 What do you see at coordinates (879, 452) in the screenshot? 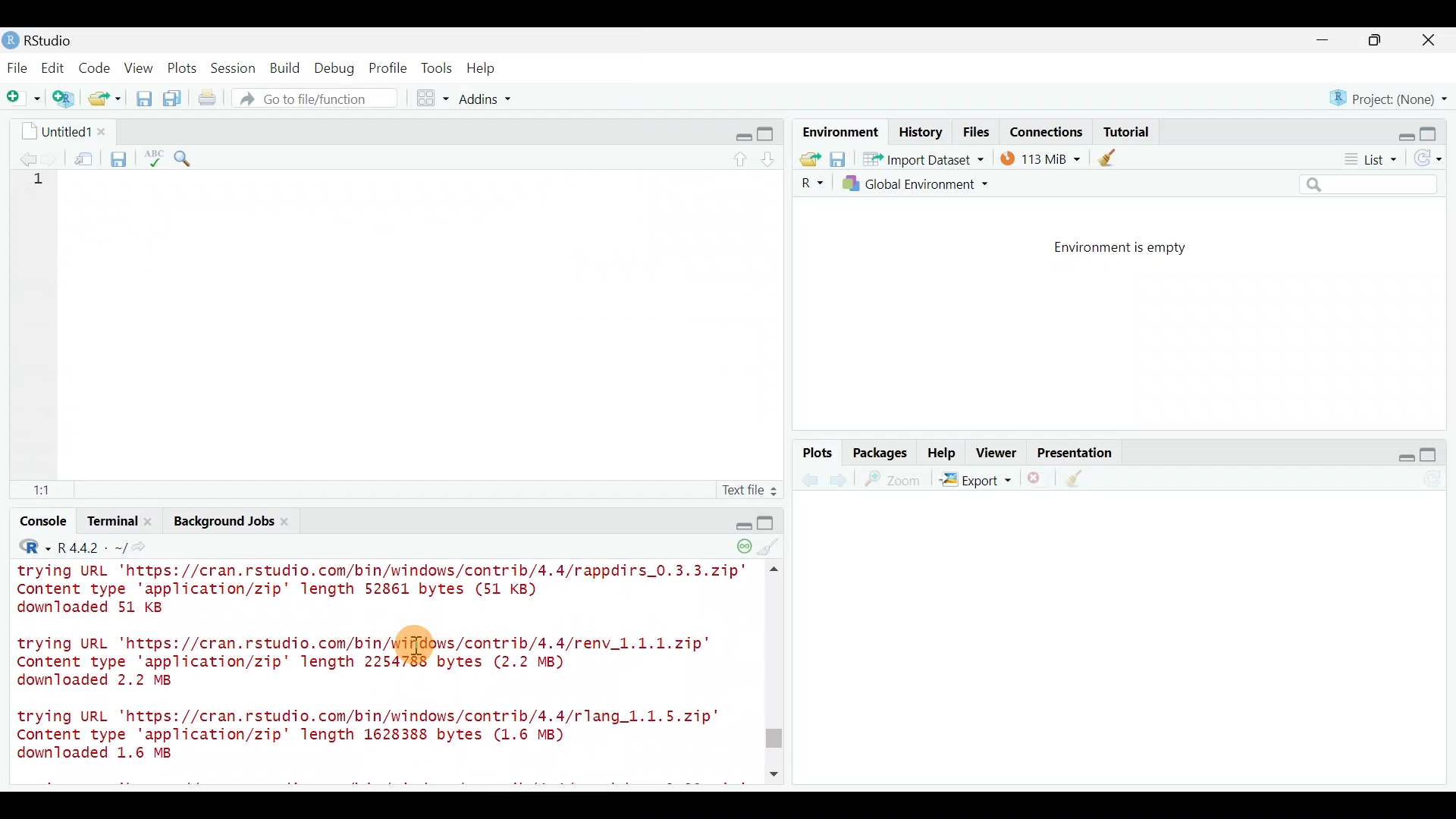
I see `Packages` at bounding box center [879, 452].